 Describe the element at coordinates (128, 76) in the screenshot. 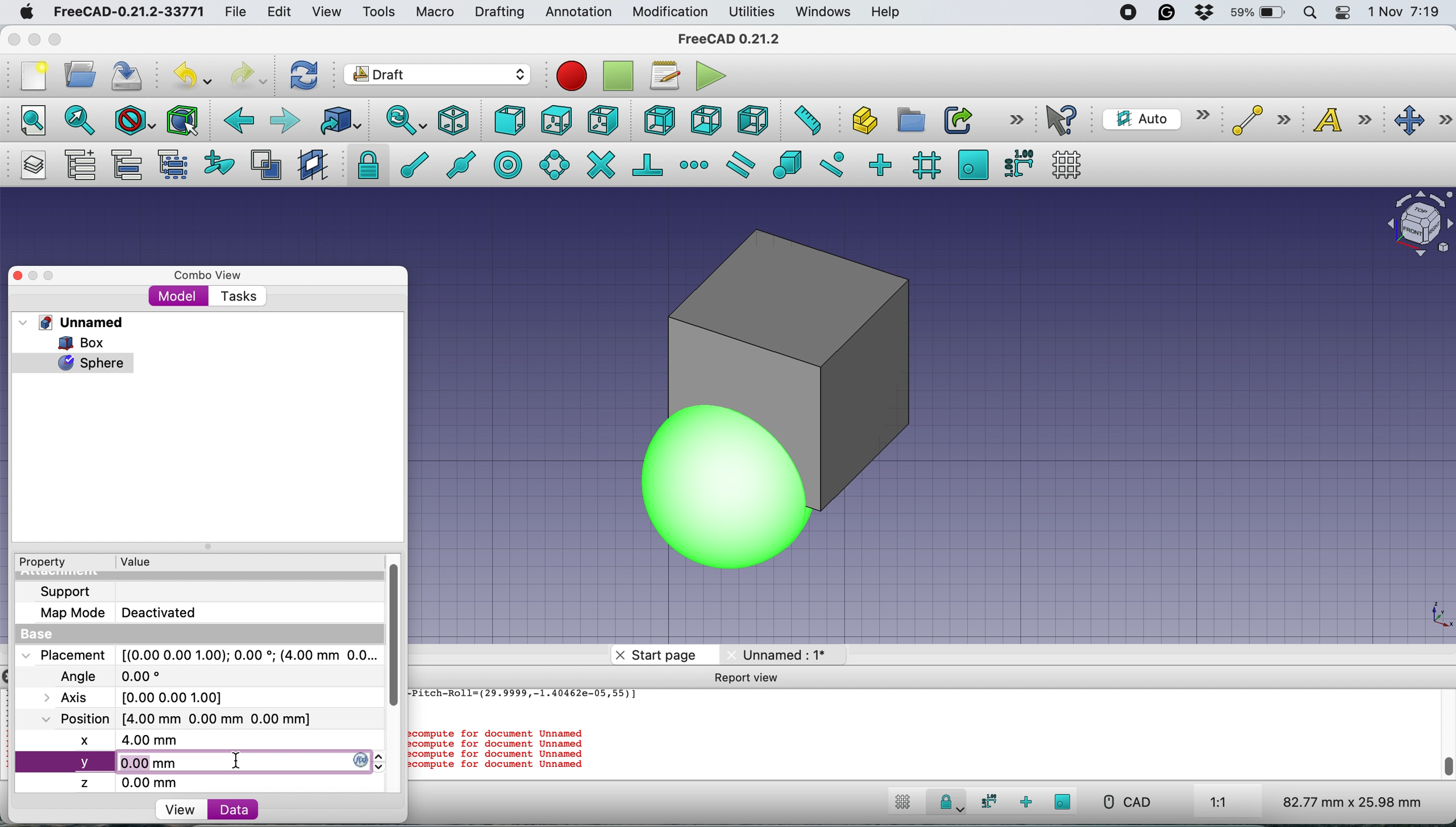

I see `save` at that location.